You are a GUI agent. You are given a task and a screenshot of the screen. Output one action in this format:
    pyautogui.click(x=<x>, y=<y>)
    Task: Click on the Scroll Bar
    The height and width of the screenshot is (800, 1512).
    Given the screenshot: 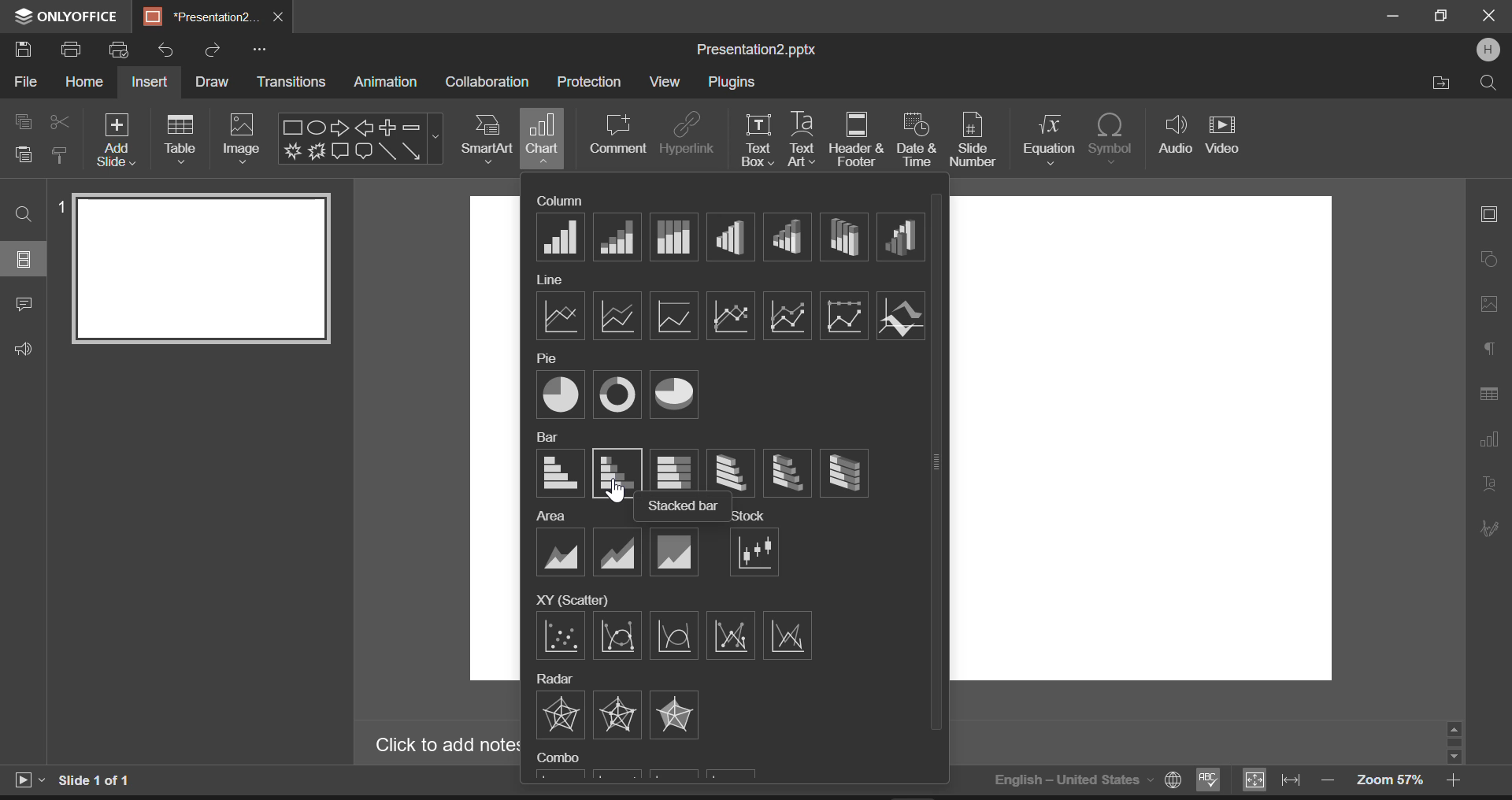 What is the action you would take?
    pyautogui.click(x=1455, y=742)
    